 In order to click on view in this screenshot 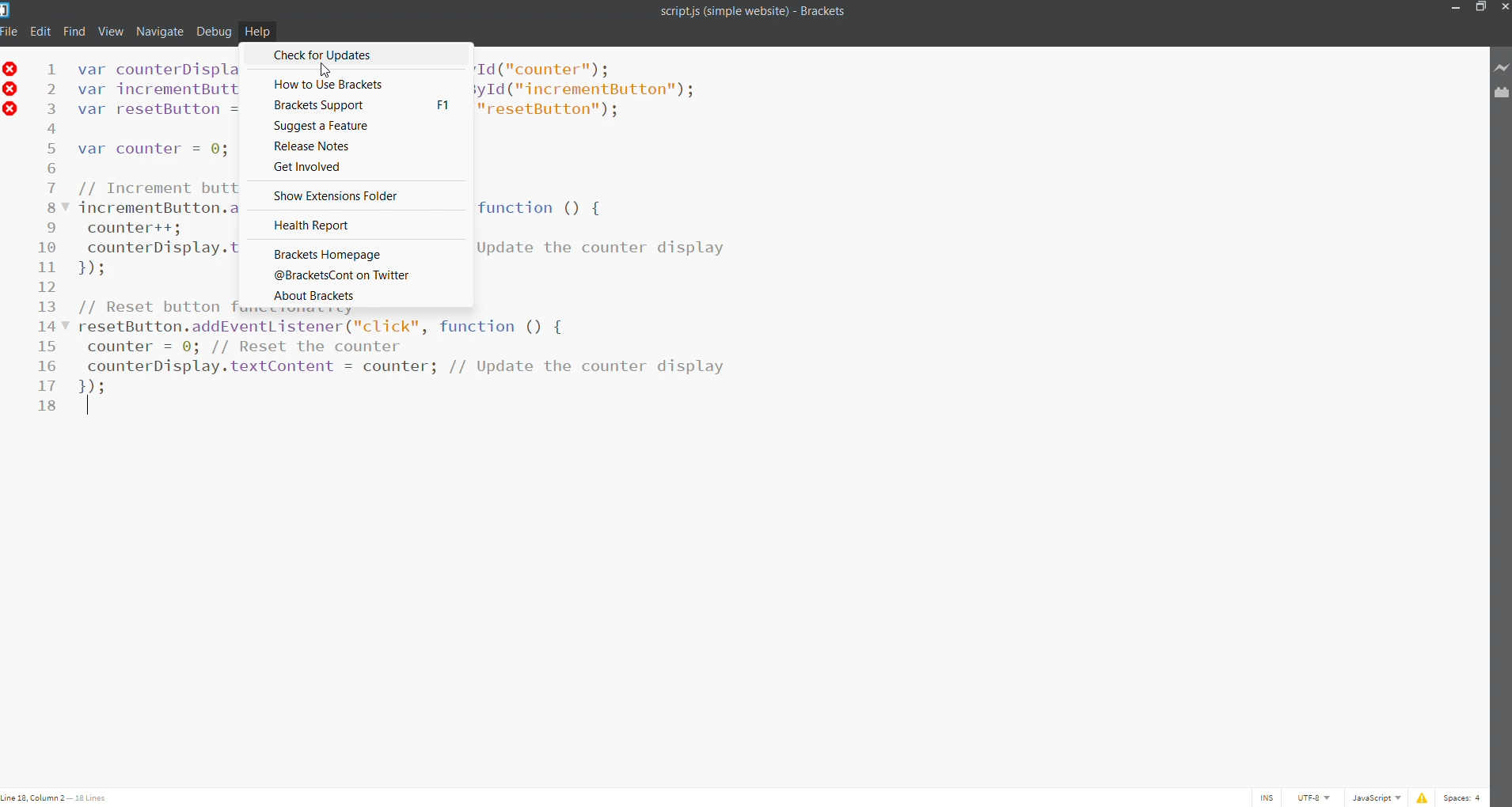, I will do `click(111, 30)`.